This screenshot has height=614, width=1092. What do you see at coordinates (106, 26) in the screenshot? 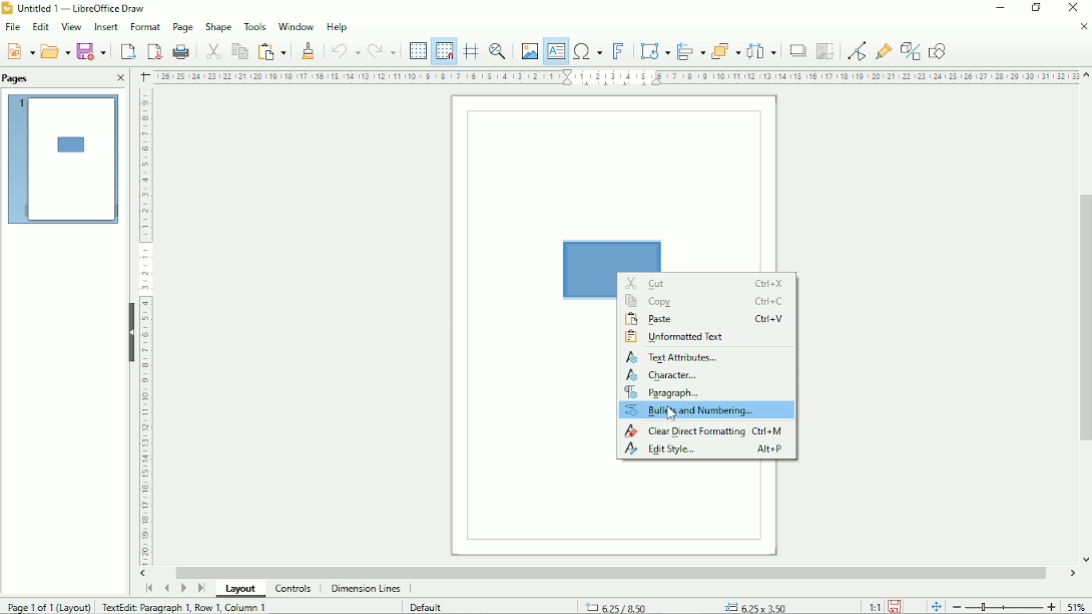
I see `Insert` at bounding box center [106, 26].